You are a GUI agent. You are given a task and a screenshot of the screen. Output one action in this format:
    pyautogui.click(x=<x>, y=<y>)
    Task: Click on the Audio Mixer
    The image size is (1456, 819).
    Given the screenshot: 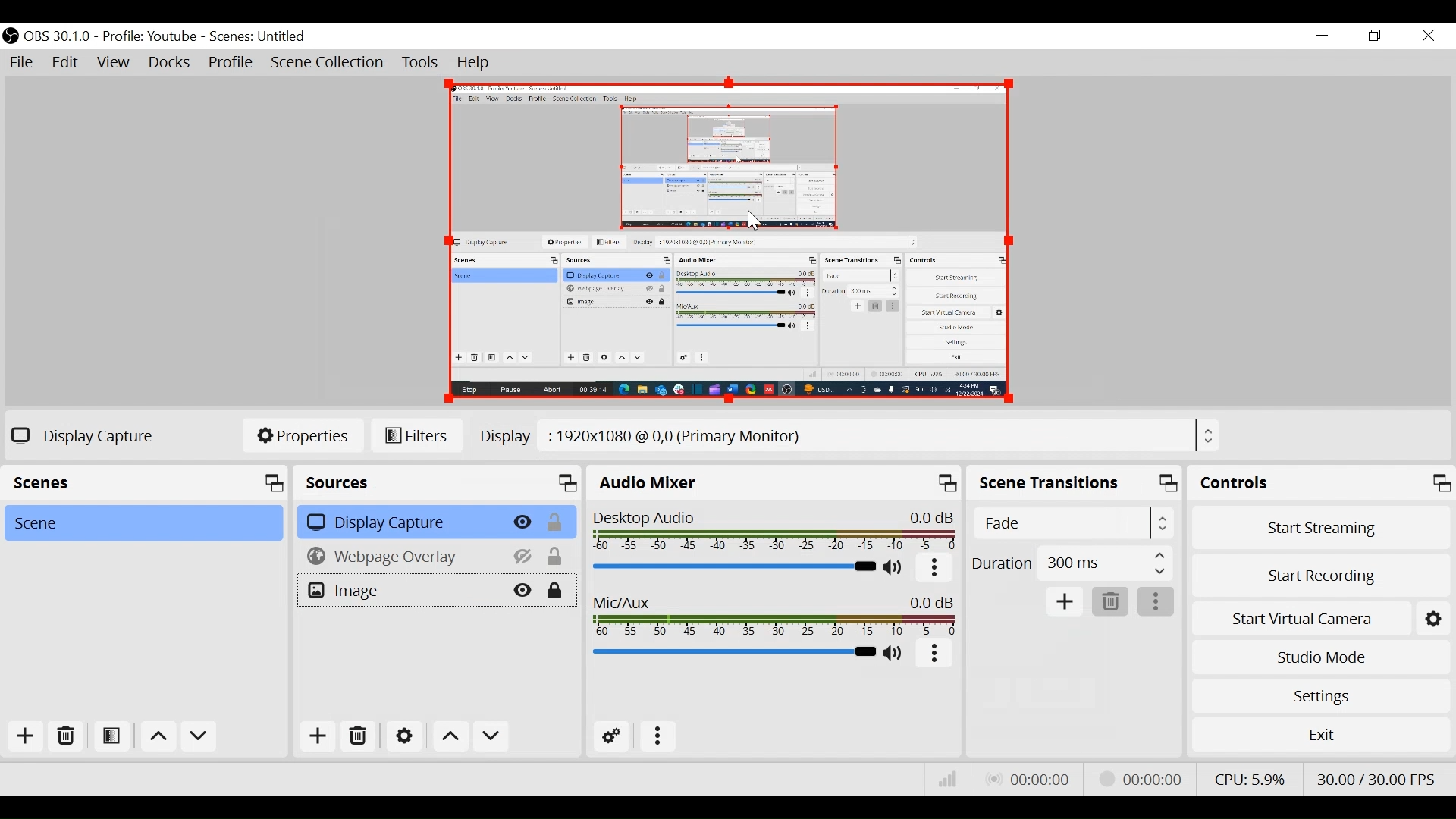 What is the action you would take?
    pyautogui.click(x=772, y=485)
    